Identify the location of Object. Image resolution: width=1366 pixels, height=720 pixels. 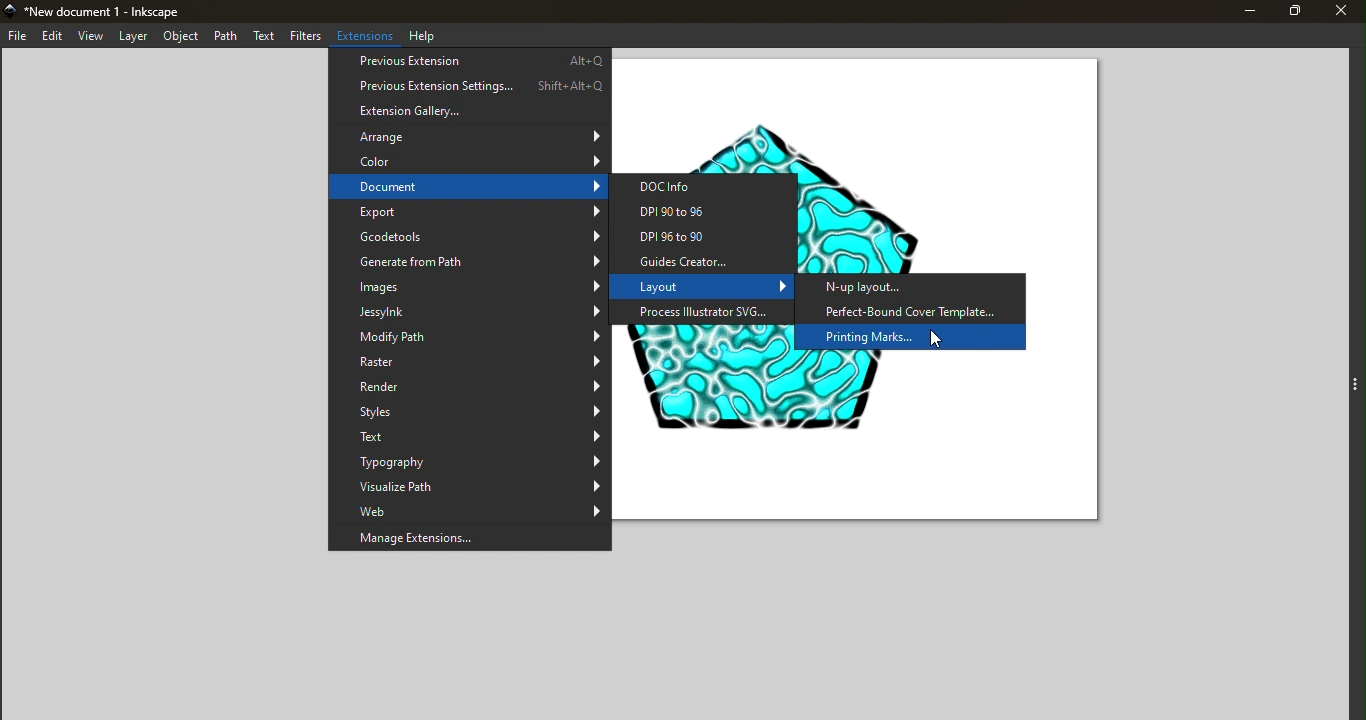
(183, 37).